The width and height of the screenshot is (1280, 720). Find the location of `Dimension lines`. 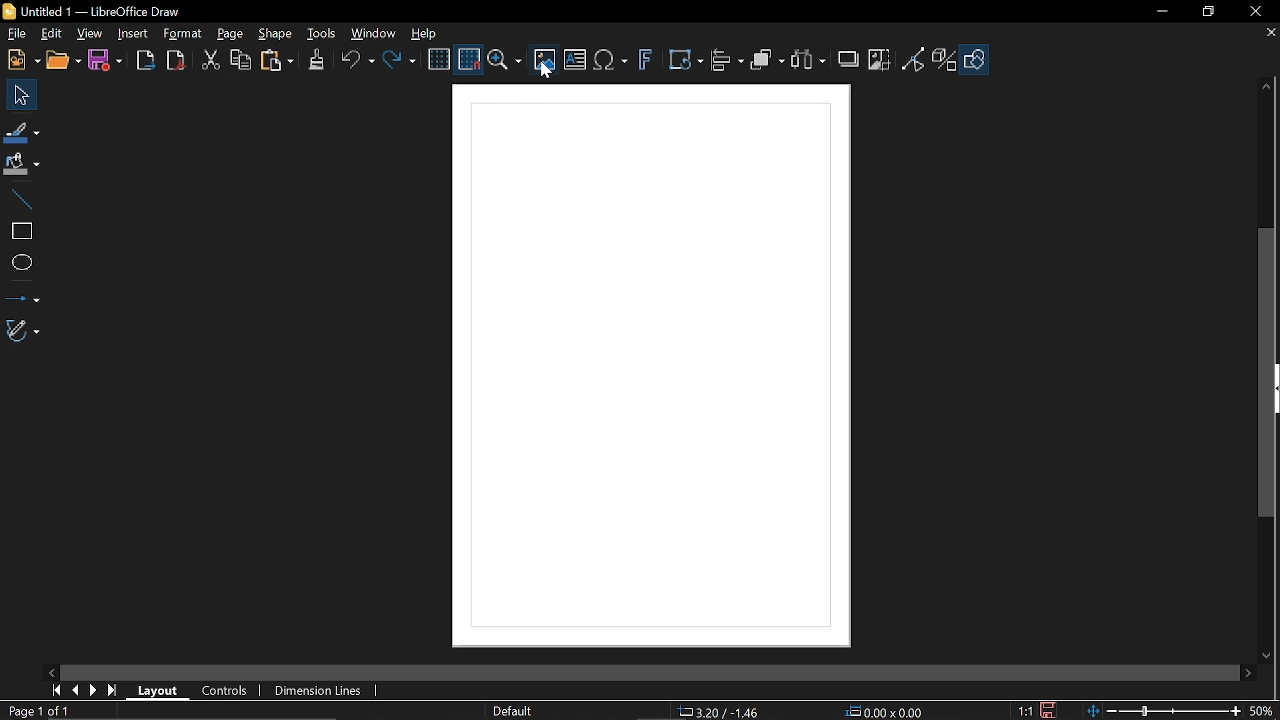

Dimension lines is located at coordinates (320, 691).